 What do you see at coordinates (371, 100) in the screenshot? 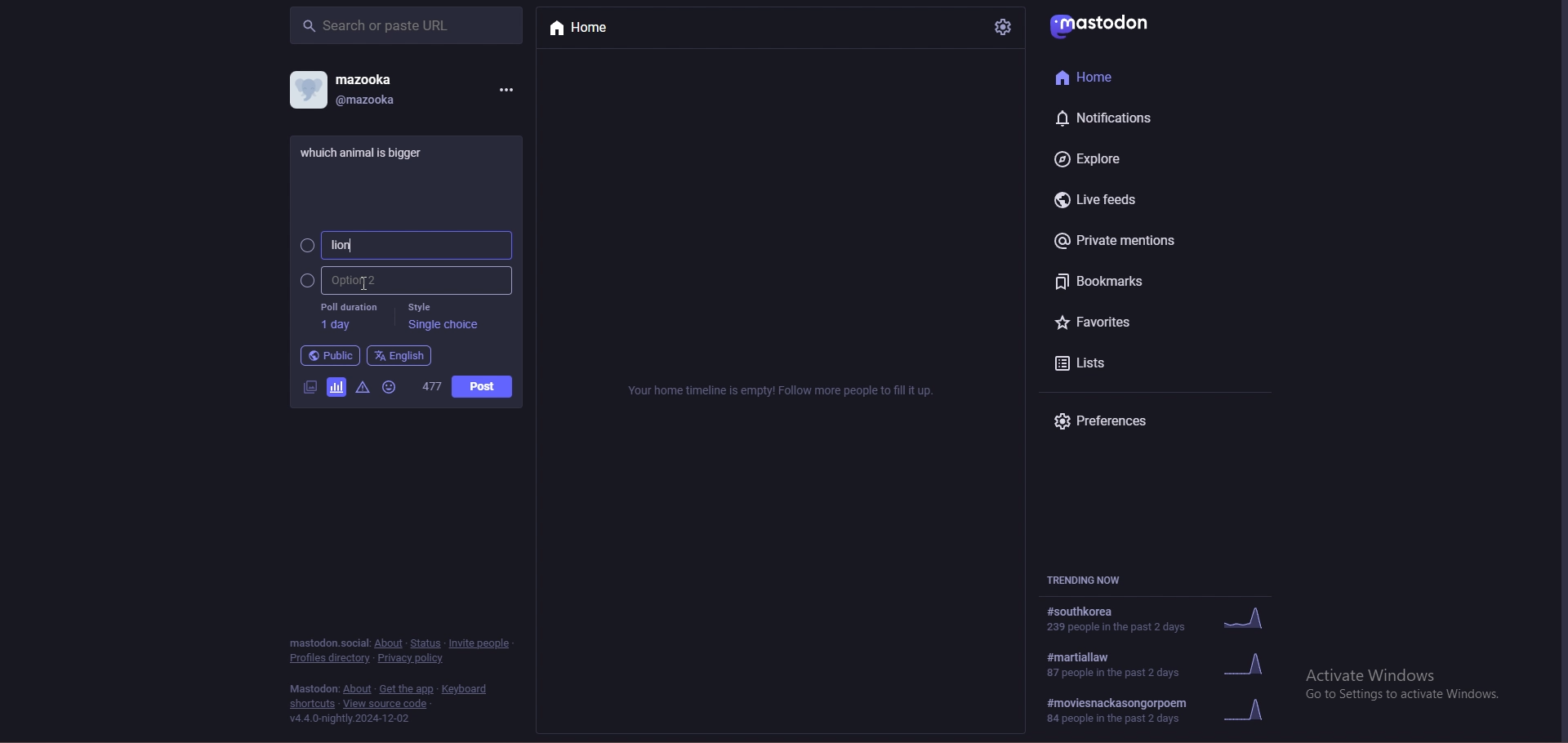
I see `@mazooka` at bounding box center [371, 100].